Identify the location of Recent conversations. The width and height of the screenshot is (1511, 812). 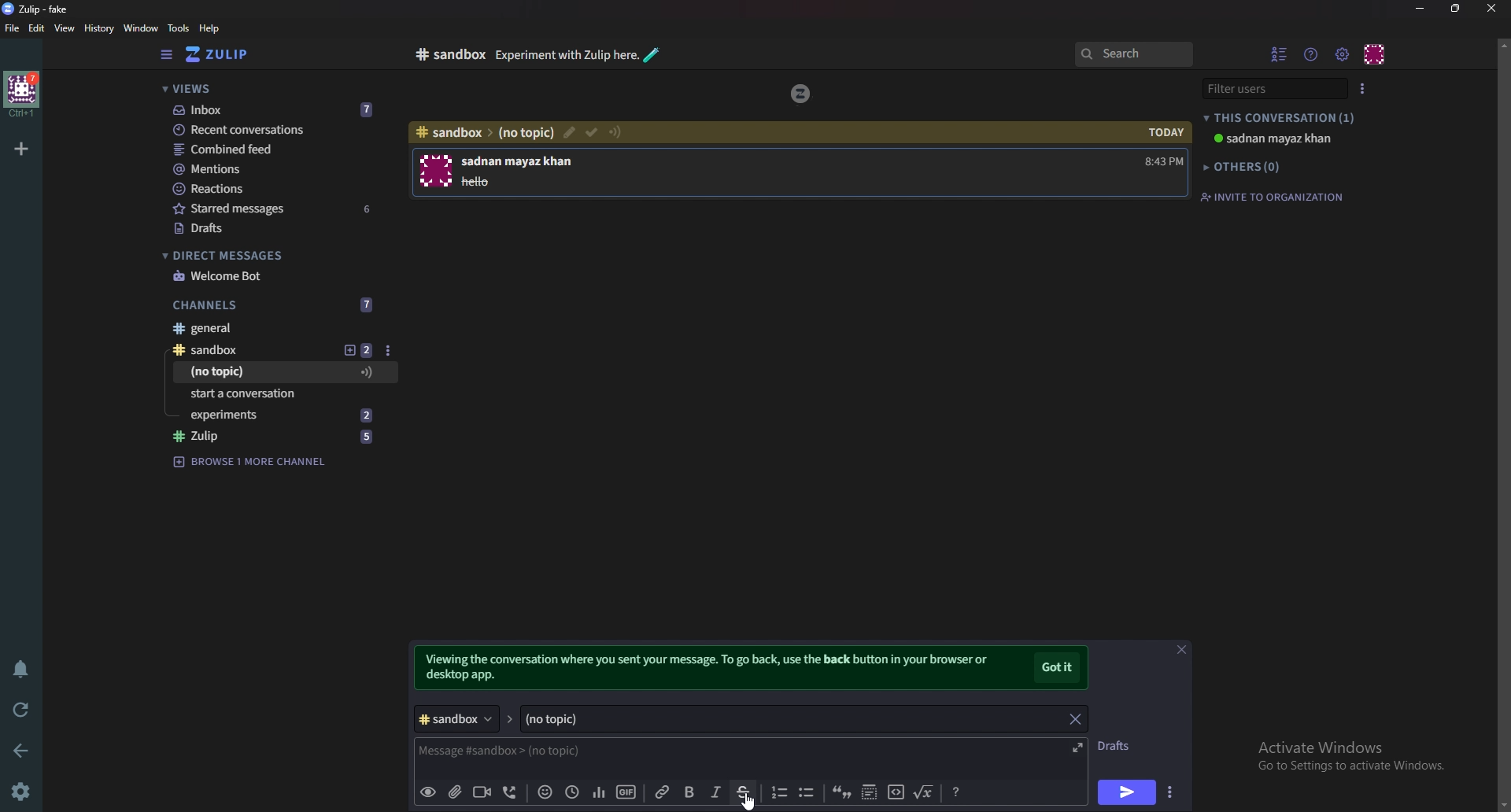
(283, 130).